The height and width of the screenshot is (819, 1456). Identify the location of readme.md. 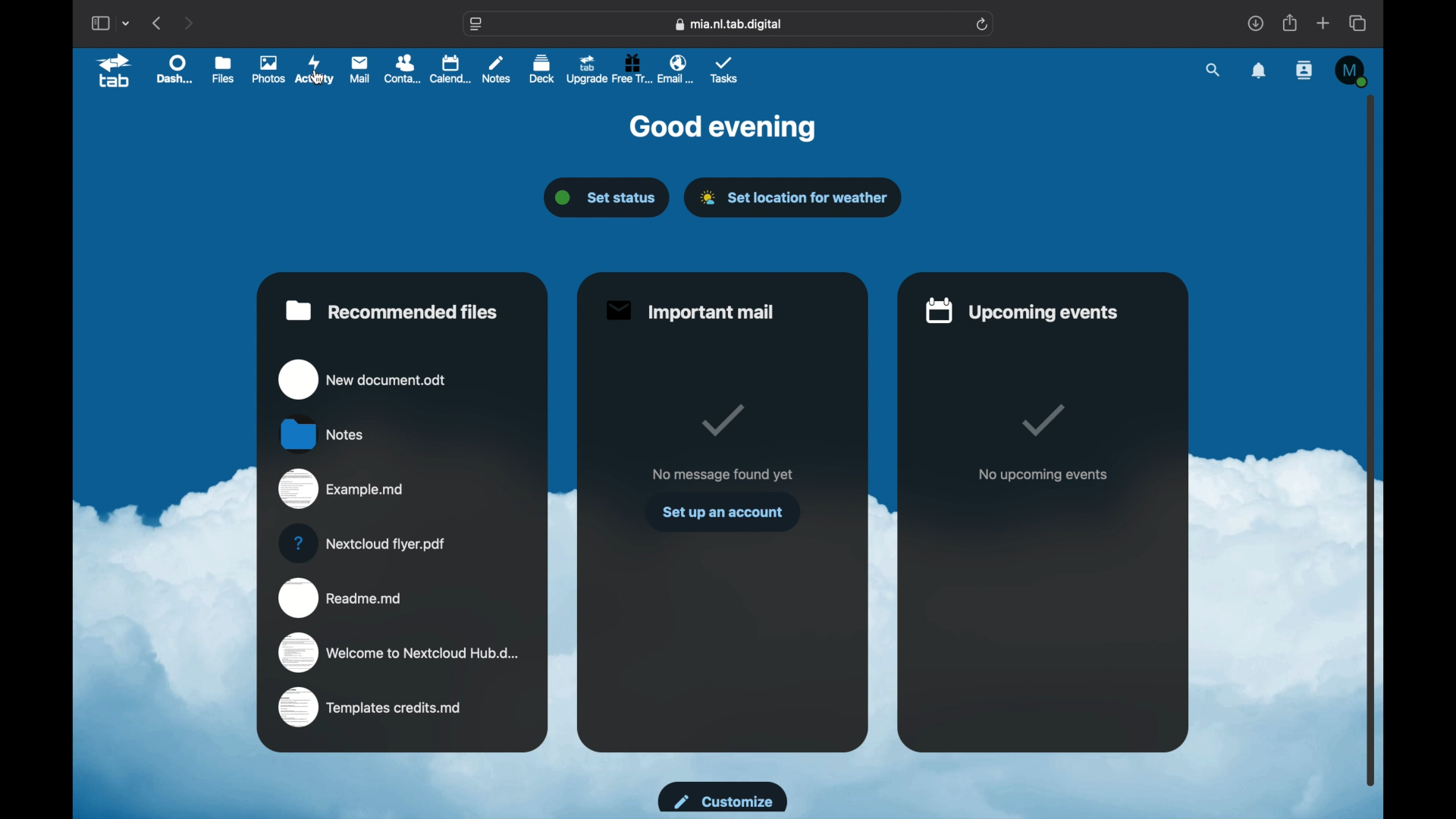
(340, 598).